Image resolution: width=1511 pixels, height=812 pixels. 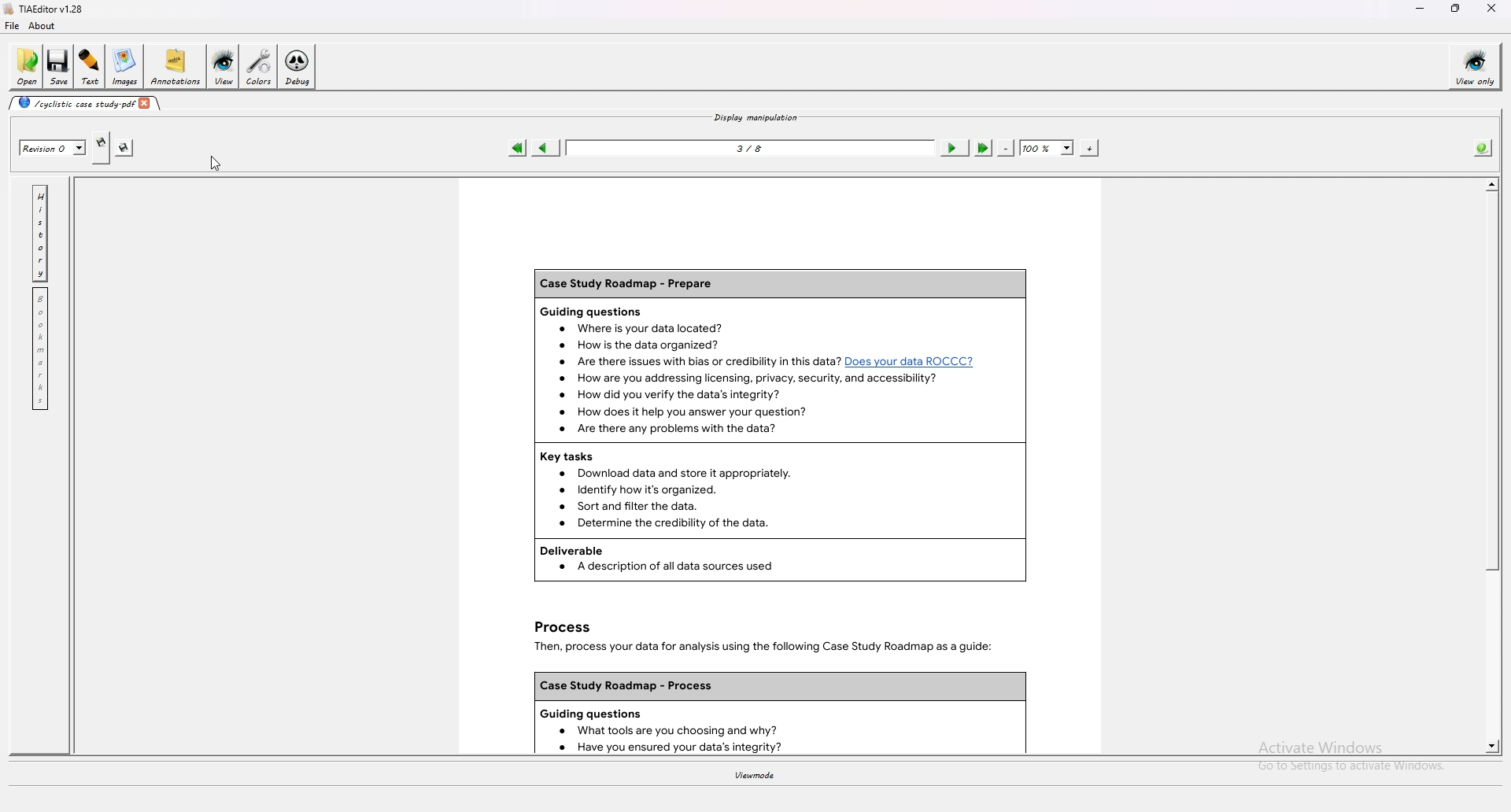 What do you see at coordinates (781, 283) in the screenshot?
I see `Case Study Roadmap - Prepare` at bounding box center [781, 283].